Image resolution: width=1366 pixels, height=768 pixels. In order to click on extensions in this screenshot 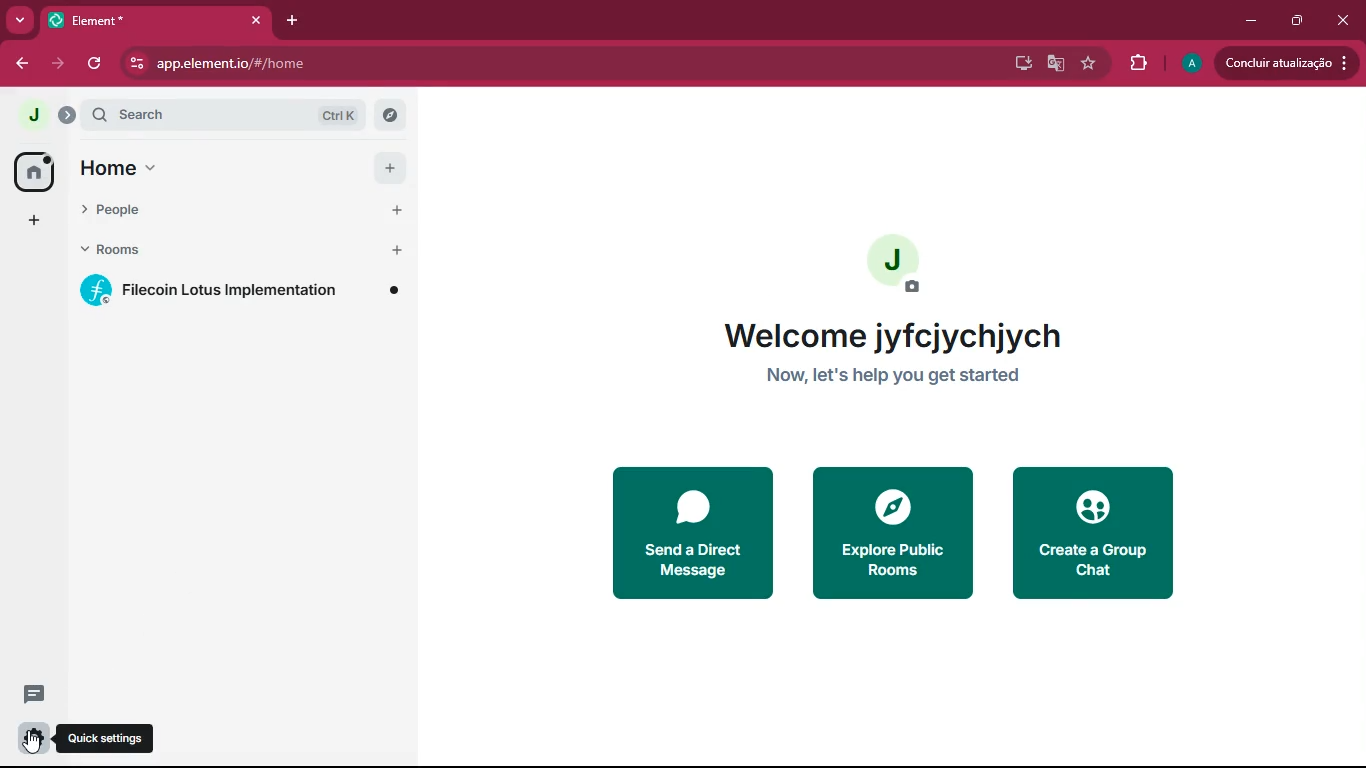, I will do `click(1134, 64)`.